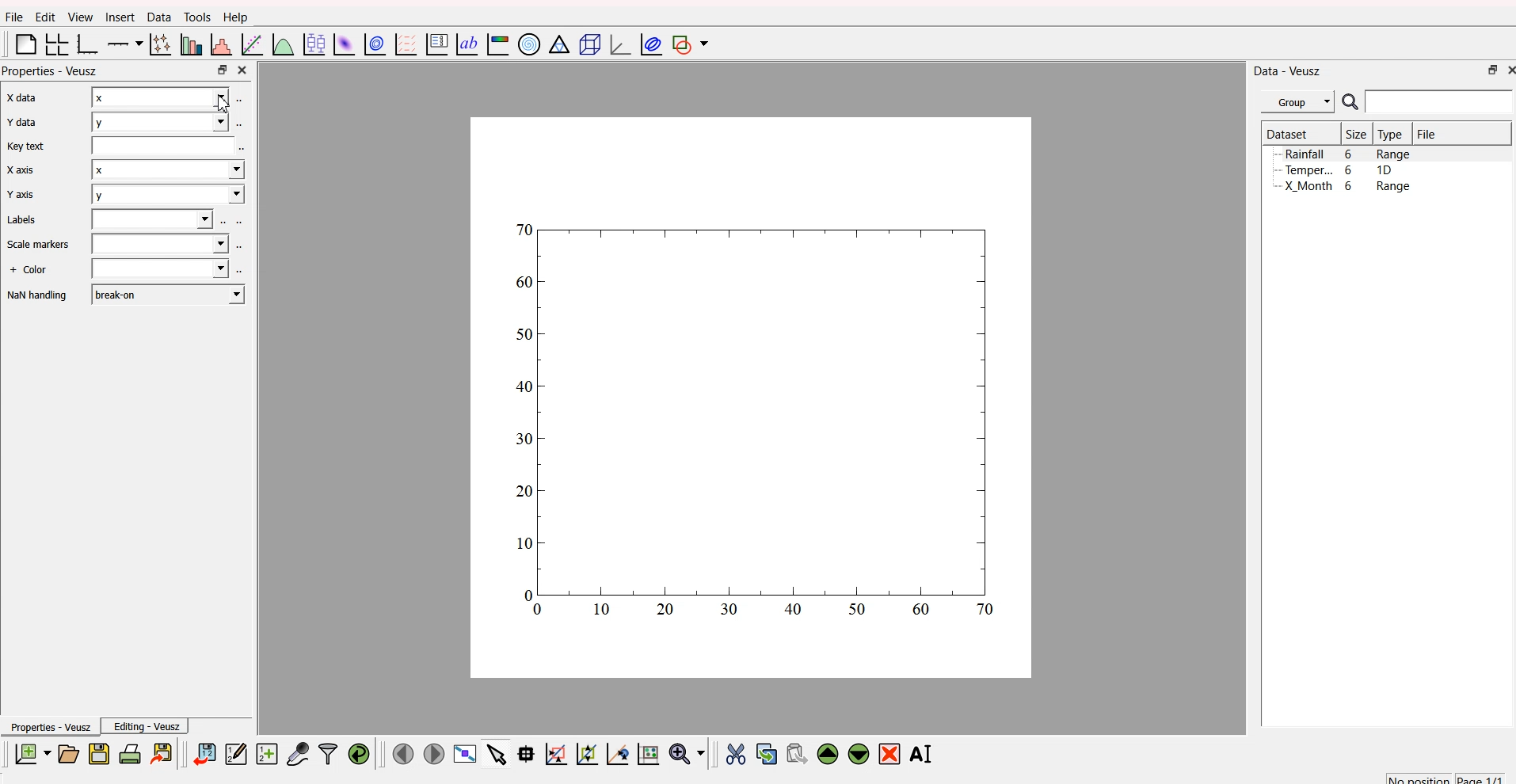  Describe the element at coordinates (22, 47) in the screenshot. I see `blank page` at that location.